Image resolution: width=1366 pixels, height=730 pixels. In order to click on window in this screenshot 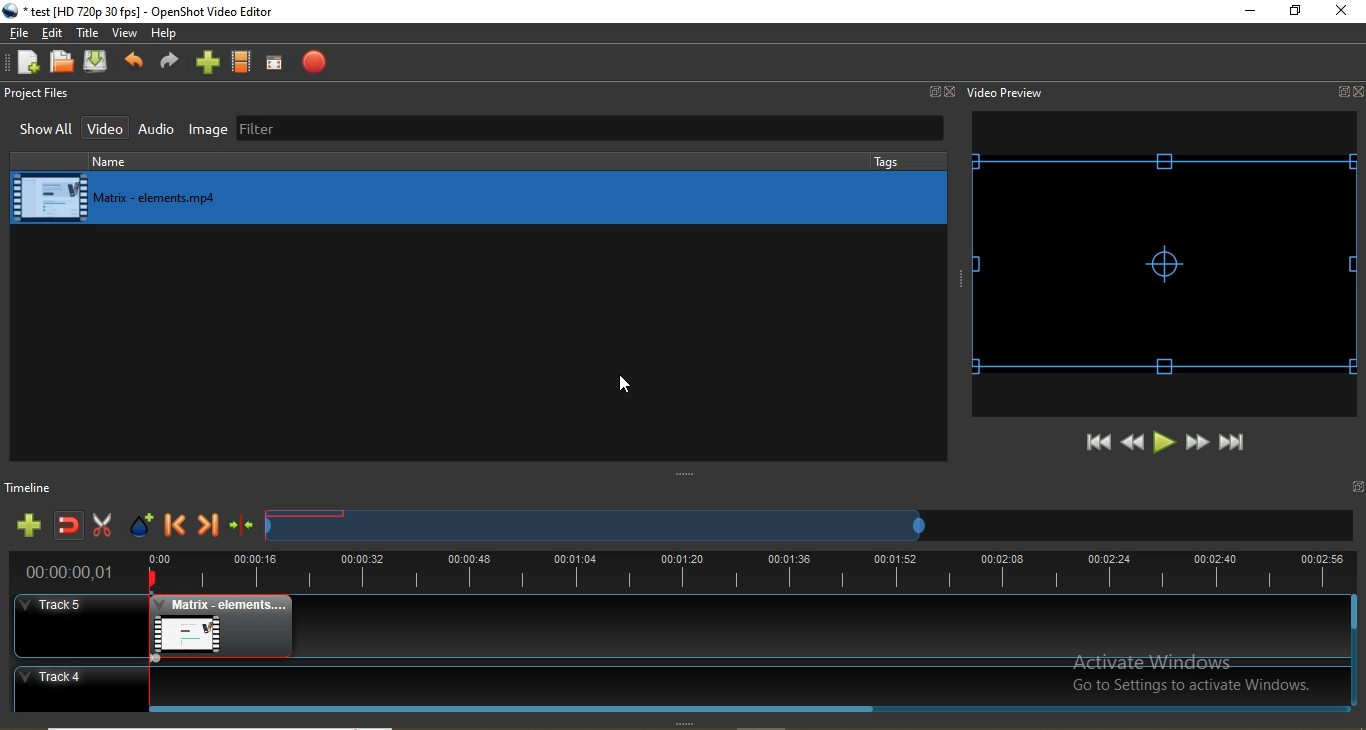, I will do `click(1357, 487)`.